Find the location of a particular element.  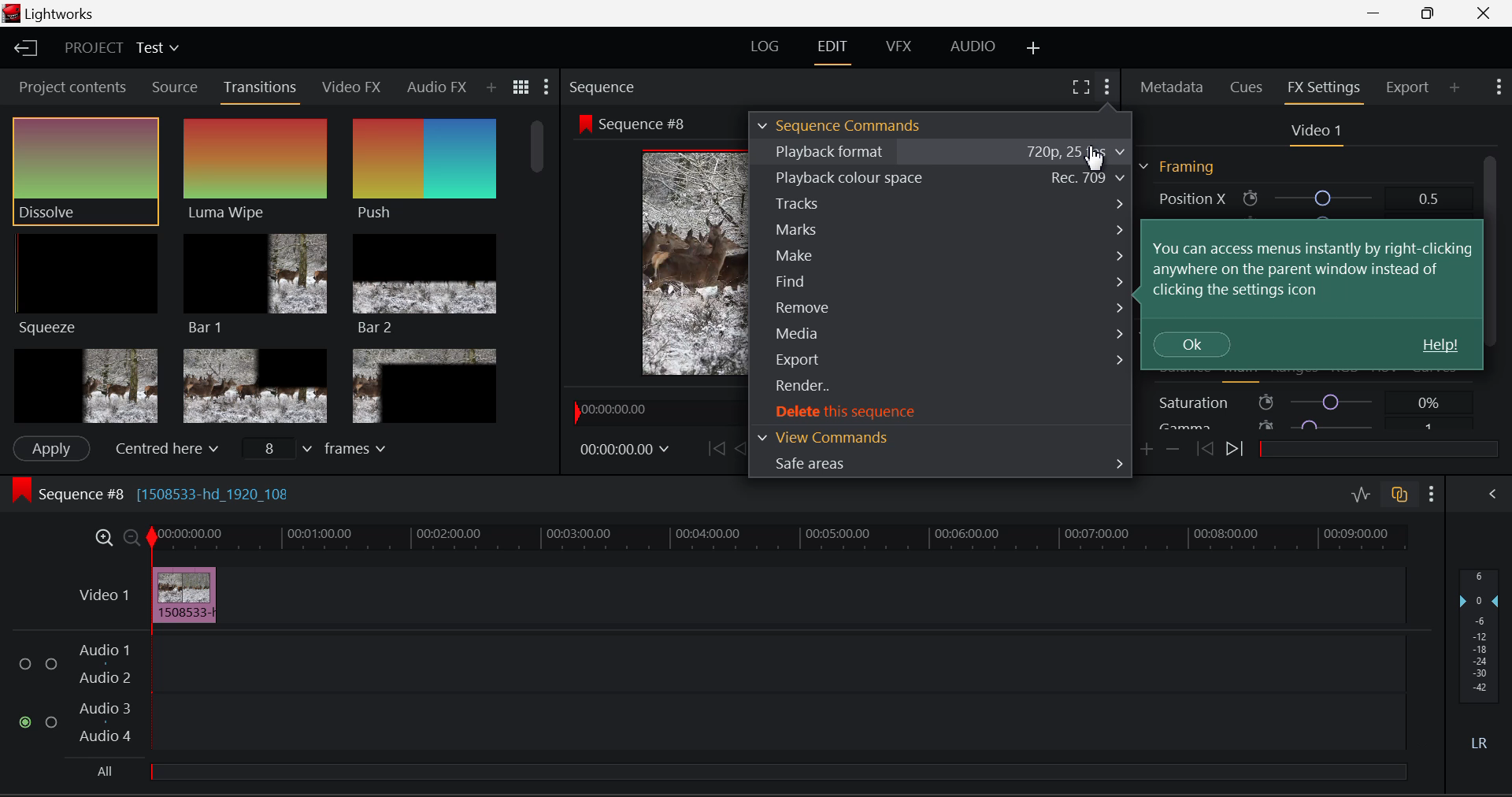

Decibel Level is located at coordinates (1480, 654).